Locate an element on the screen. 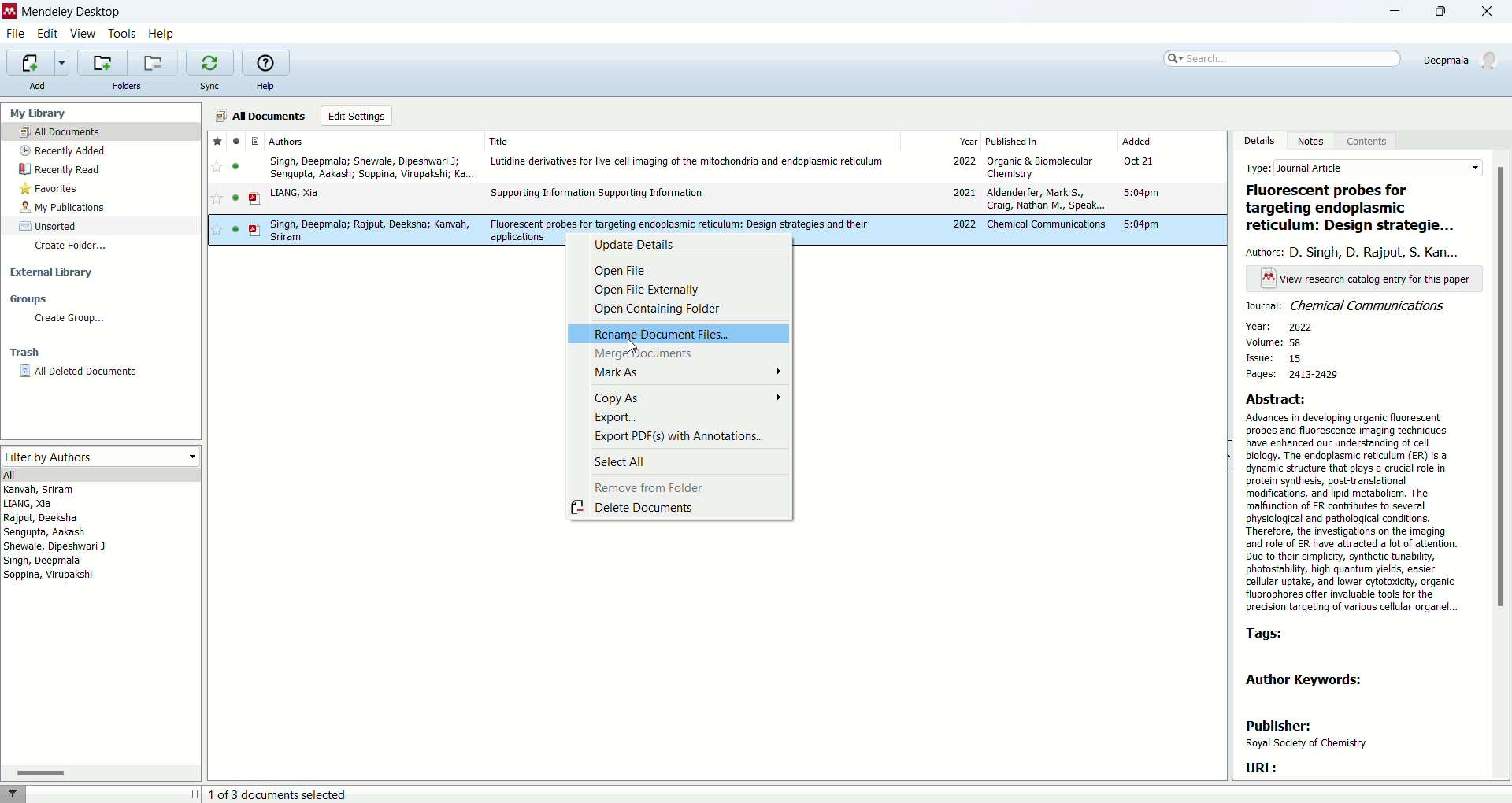 The width and height of the screenshot is (1512, 803). select all is located at coordinates (683, 461).